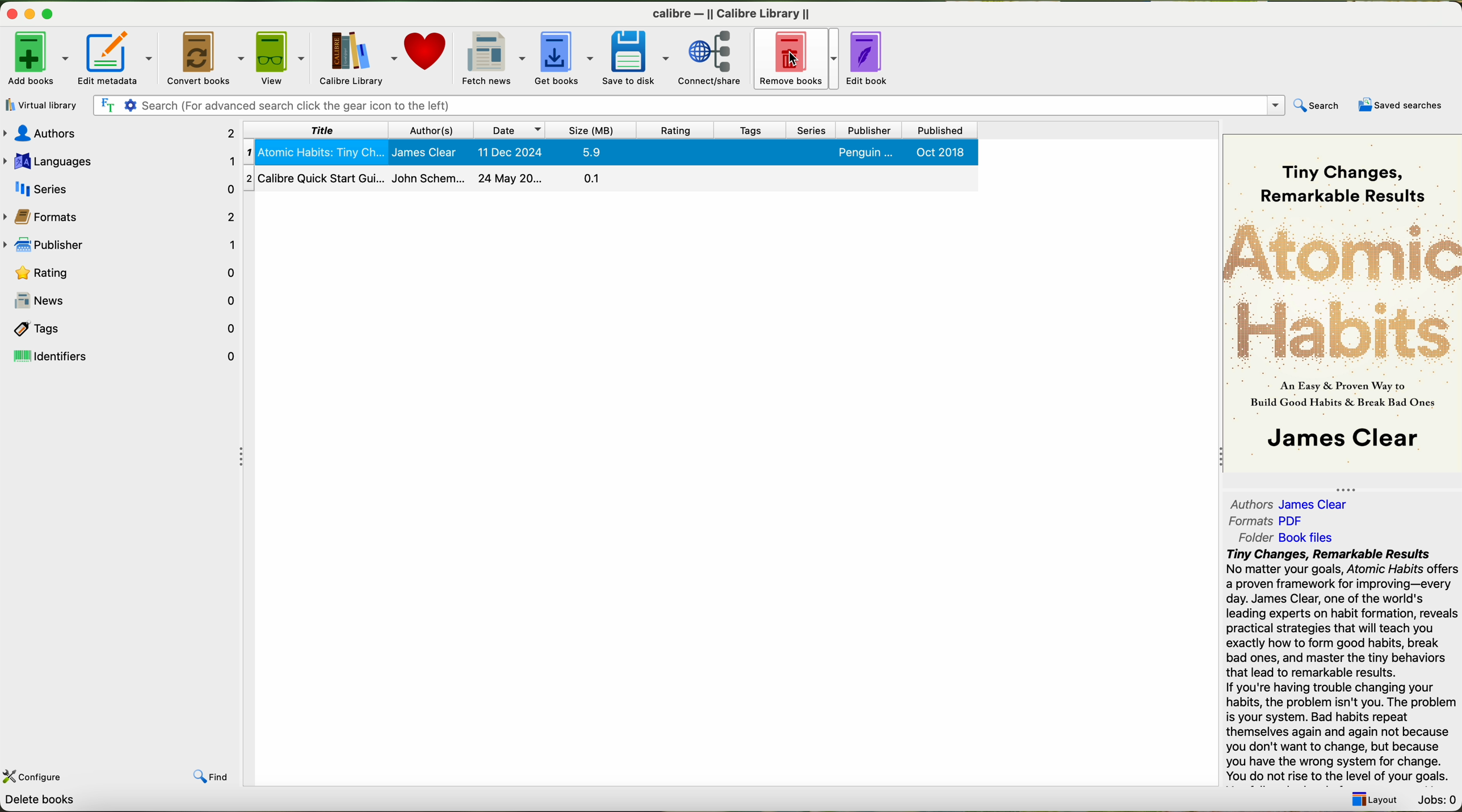 The height and width of the screenshot is (812, 1462). I want to click on tags, so click(748, 130).